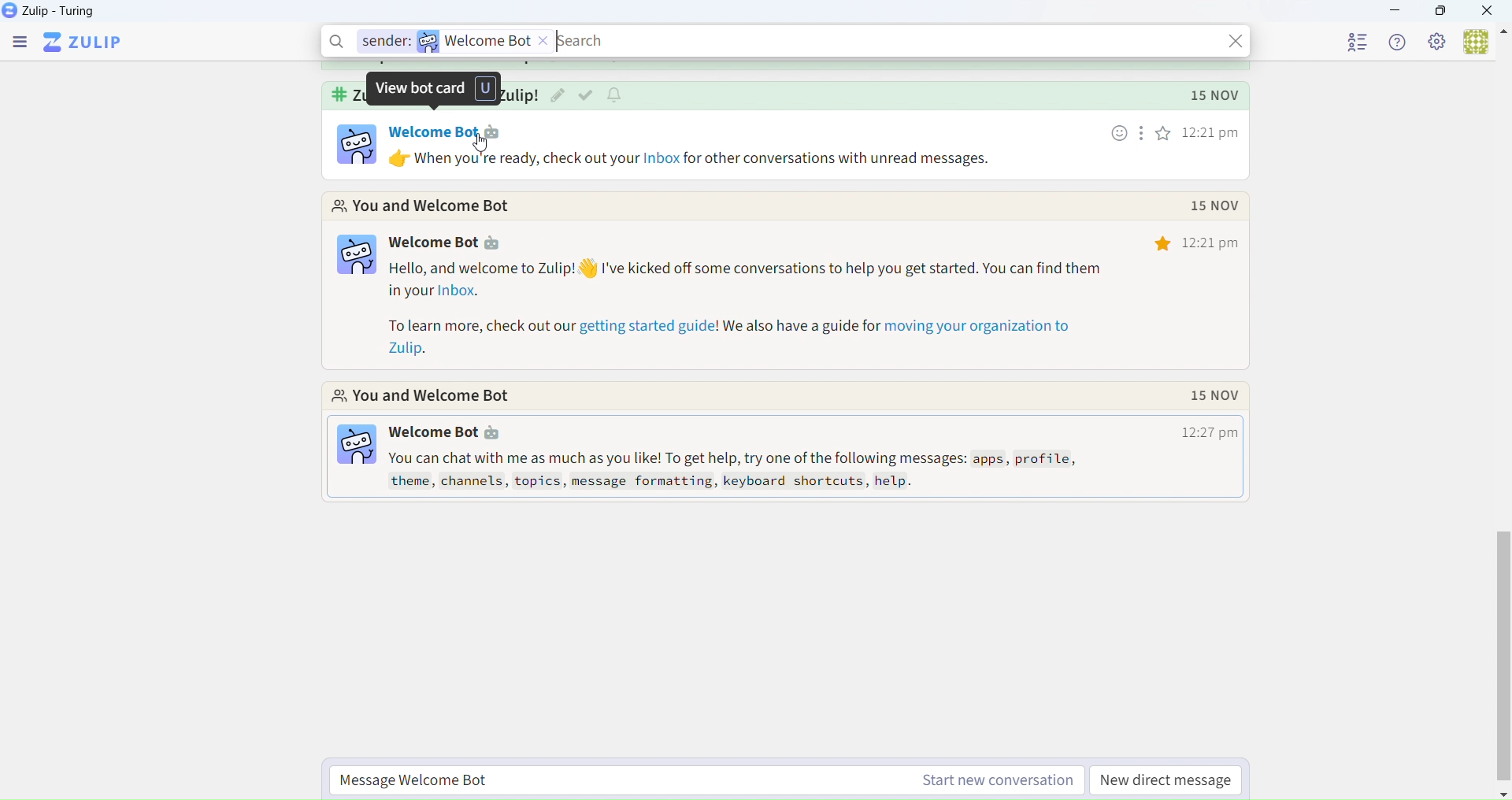  What do you see at coordinates (1492, 10) in the screenshot?
I see `Close` at bounding box center [1492, 10].